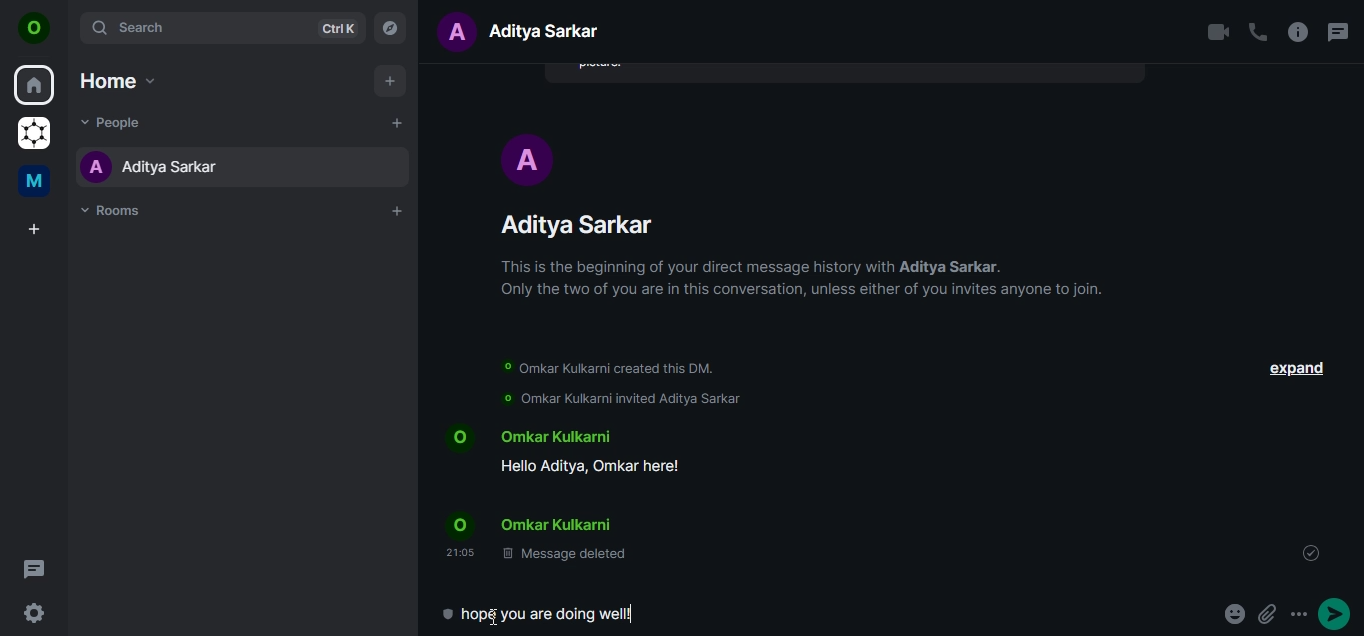  I want to click on text cursor, so click(497, 620).